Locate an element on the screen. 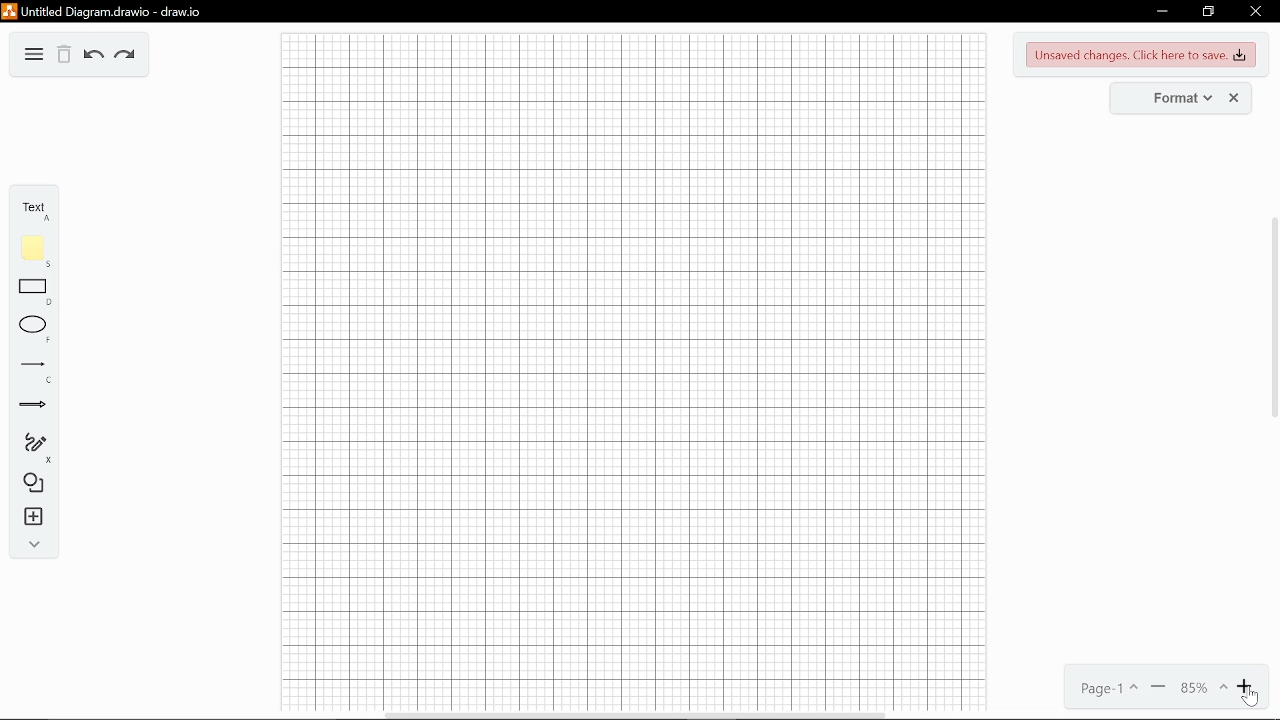  undo is located at coordinates (94, 56).